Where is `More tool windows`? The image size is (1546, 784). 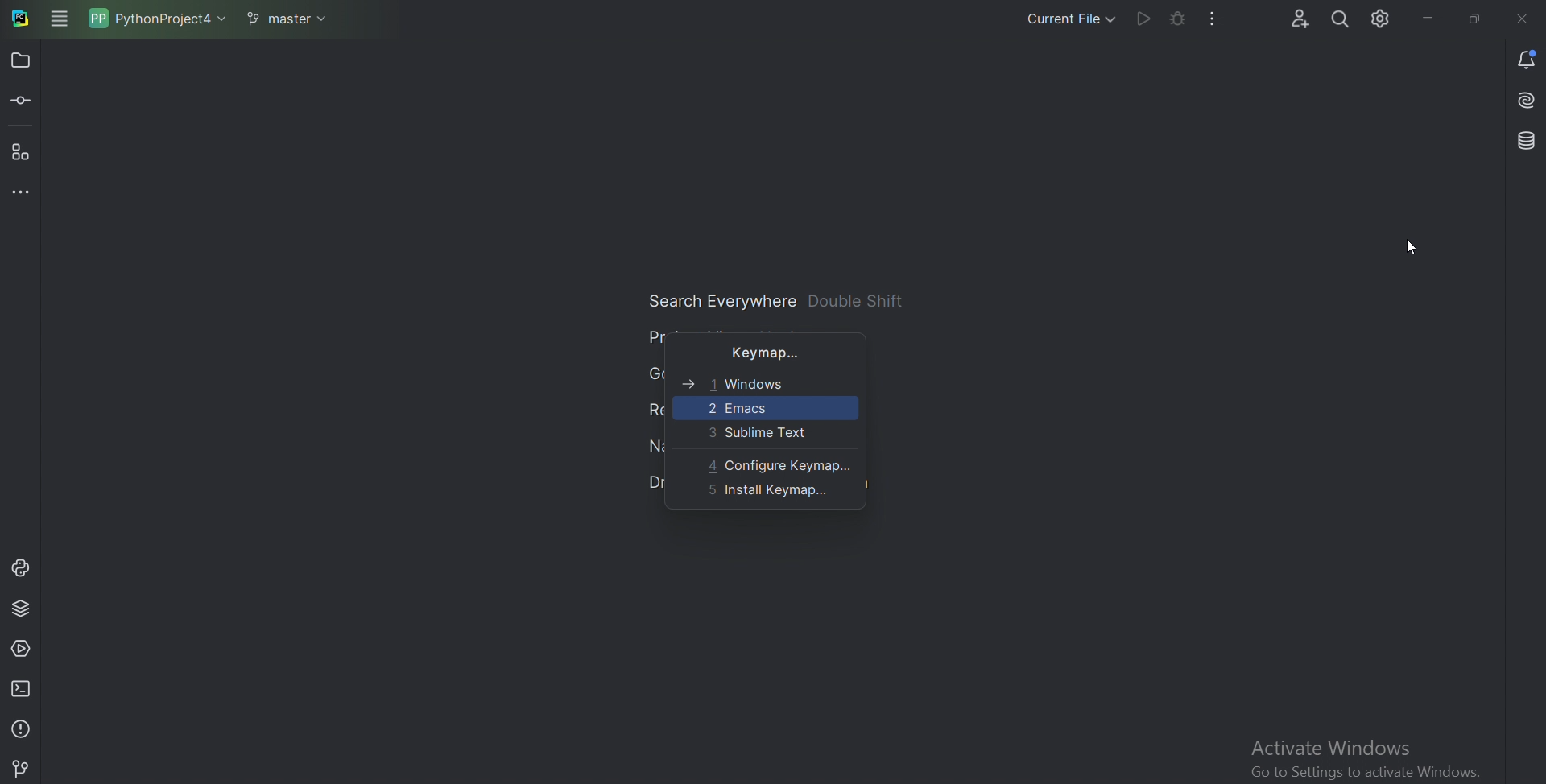 More tool windows is located at coordinates (21, 192).